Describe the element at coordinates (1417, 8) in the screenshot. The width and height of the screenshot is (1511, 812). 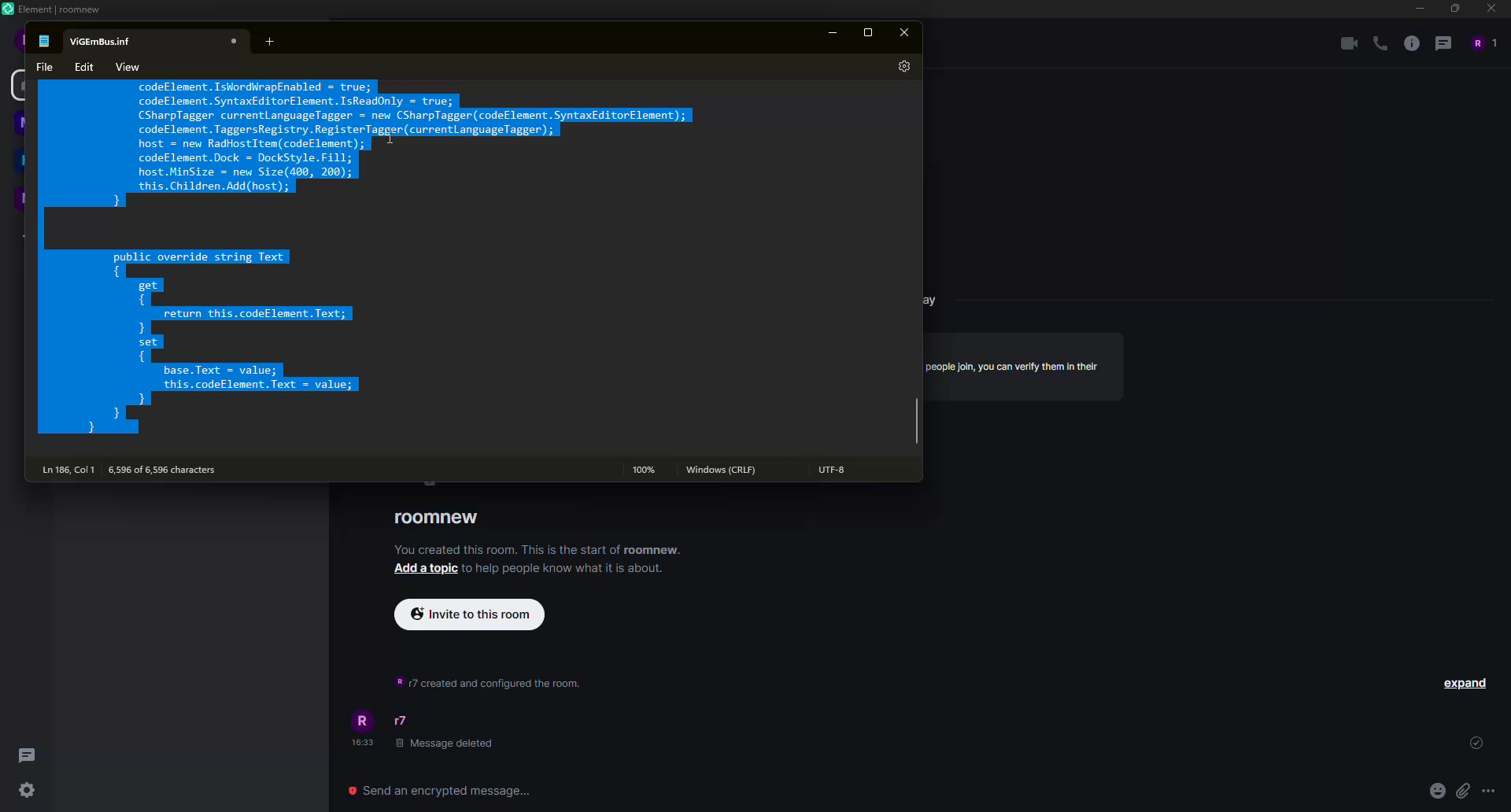
I see `minimize` at that location.